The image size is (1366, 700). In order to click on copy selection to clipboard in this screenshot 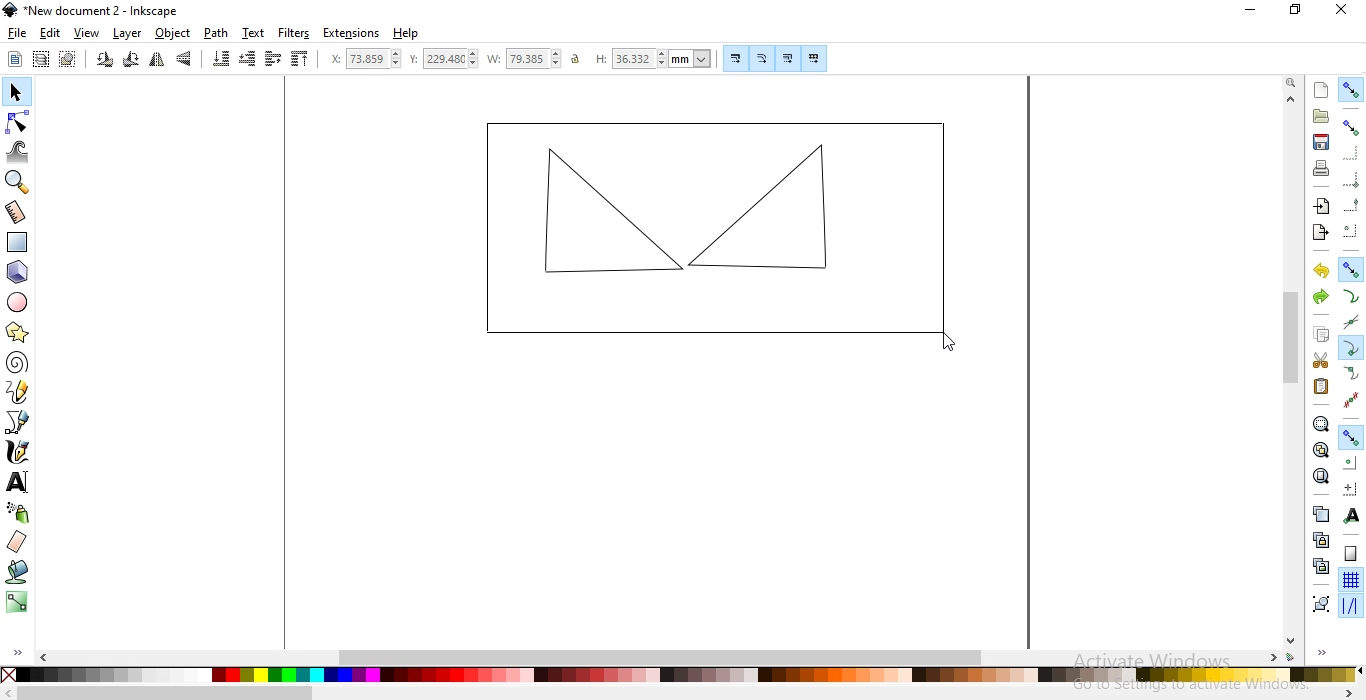, I will do `click(1323, 336)`.